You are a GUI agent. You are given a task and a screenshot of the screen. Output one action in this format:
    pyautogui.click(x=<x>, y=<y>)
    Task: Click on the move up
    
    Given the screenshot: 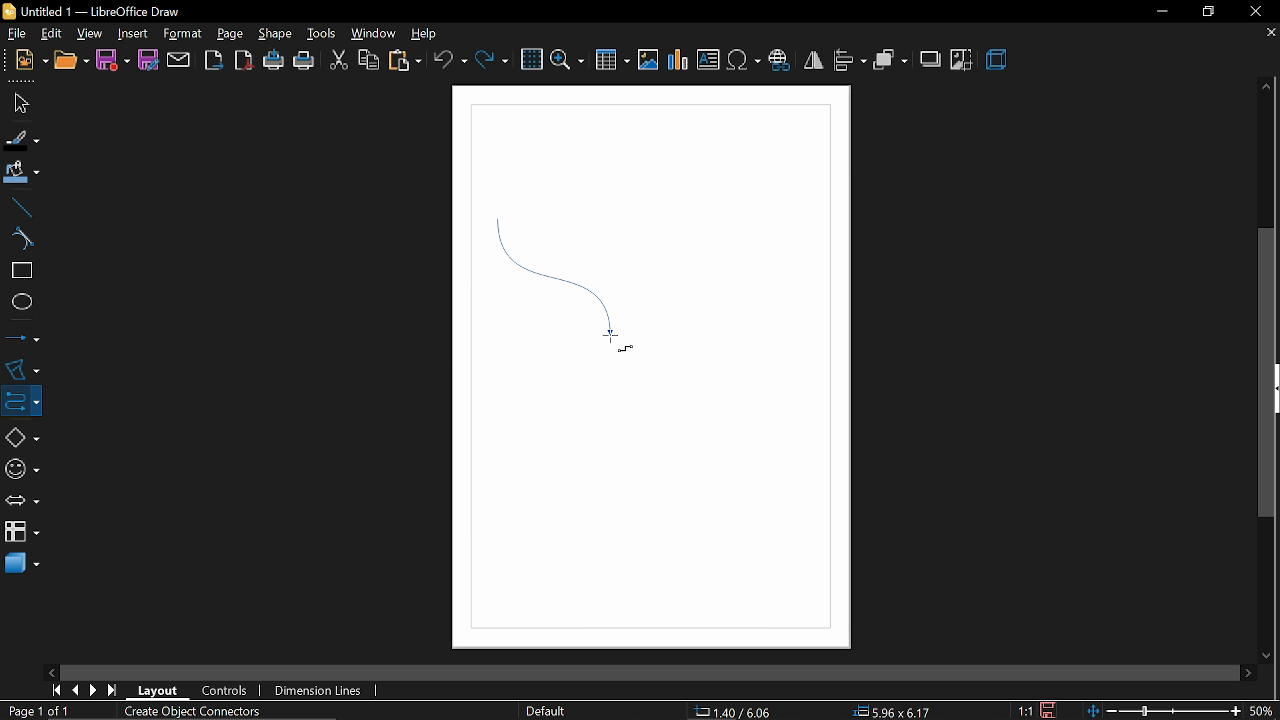 What is the action you would take?
    pyautogui.click(x=1267, y=88)
    